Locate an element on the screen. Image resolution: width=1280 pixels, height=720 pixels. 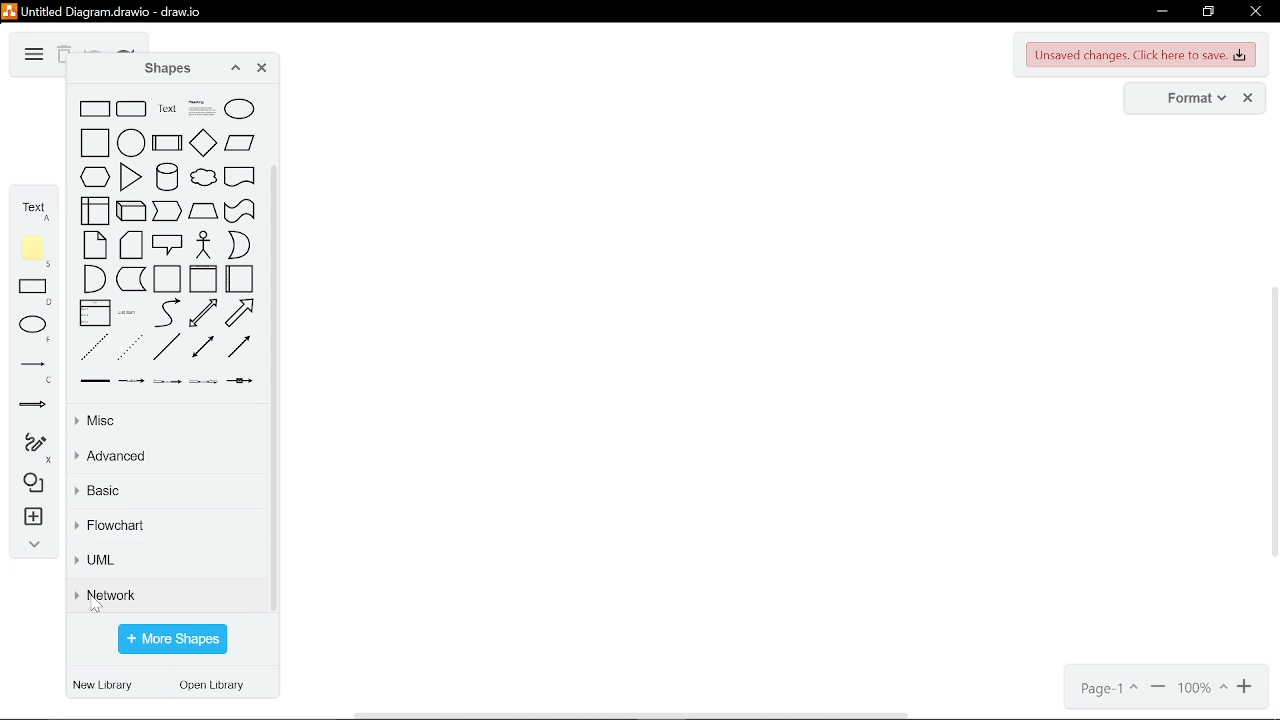
vertical scroll bar is located at coordinates (1272, 424).